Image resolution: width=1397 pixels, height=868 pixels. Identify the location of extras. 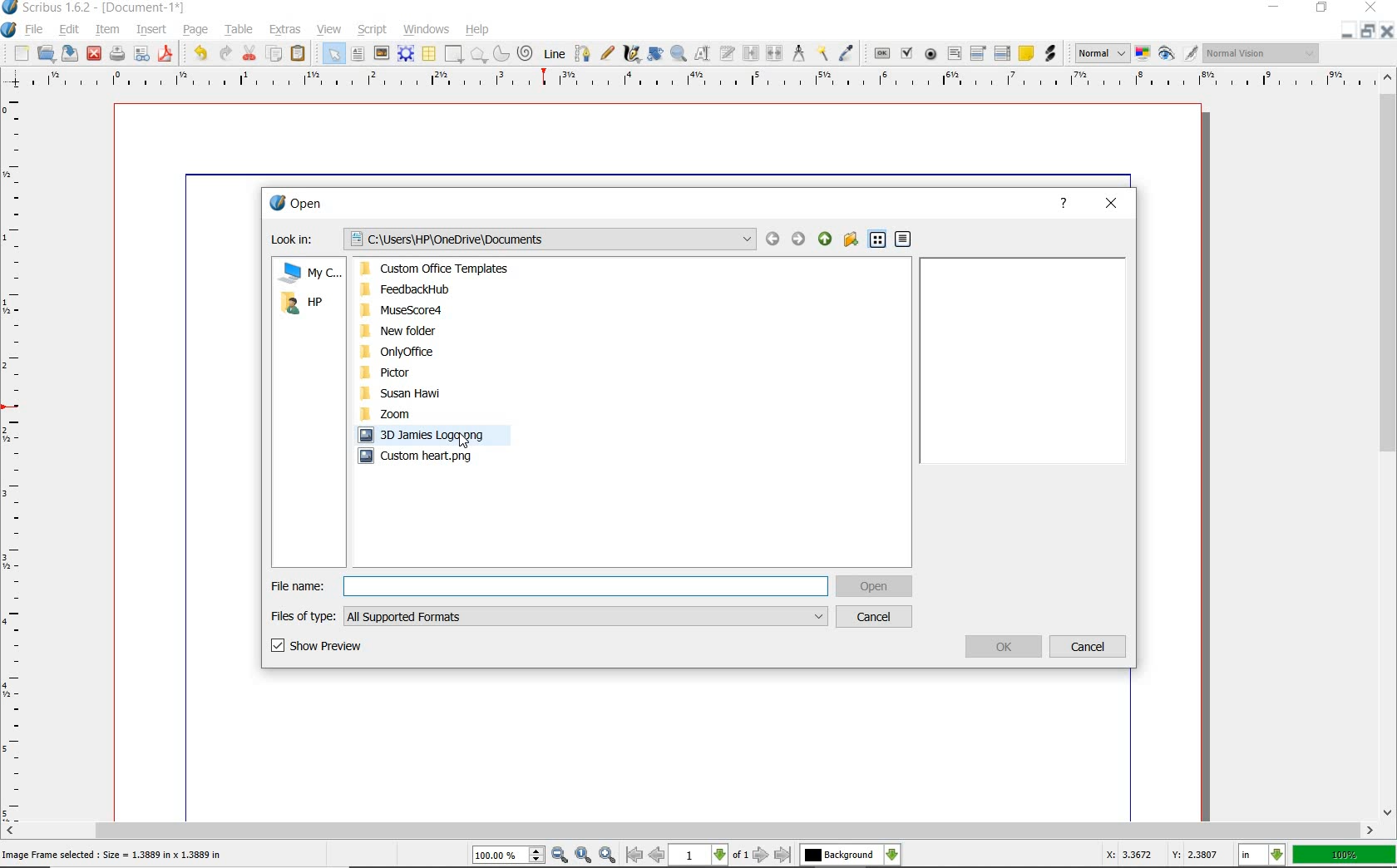
(285, 29).